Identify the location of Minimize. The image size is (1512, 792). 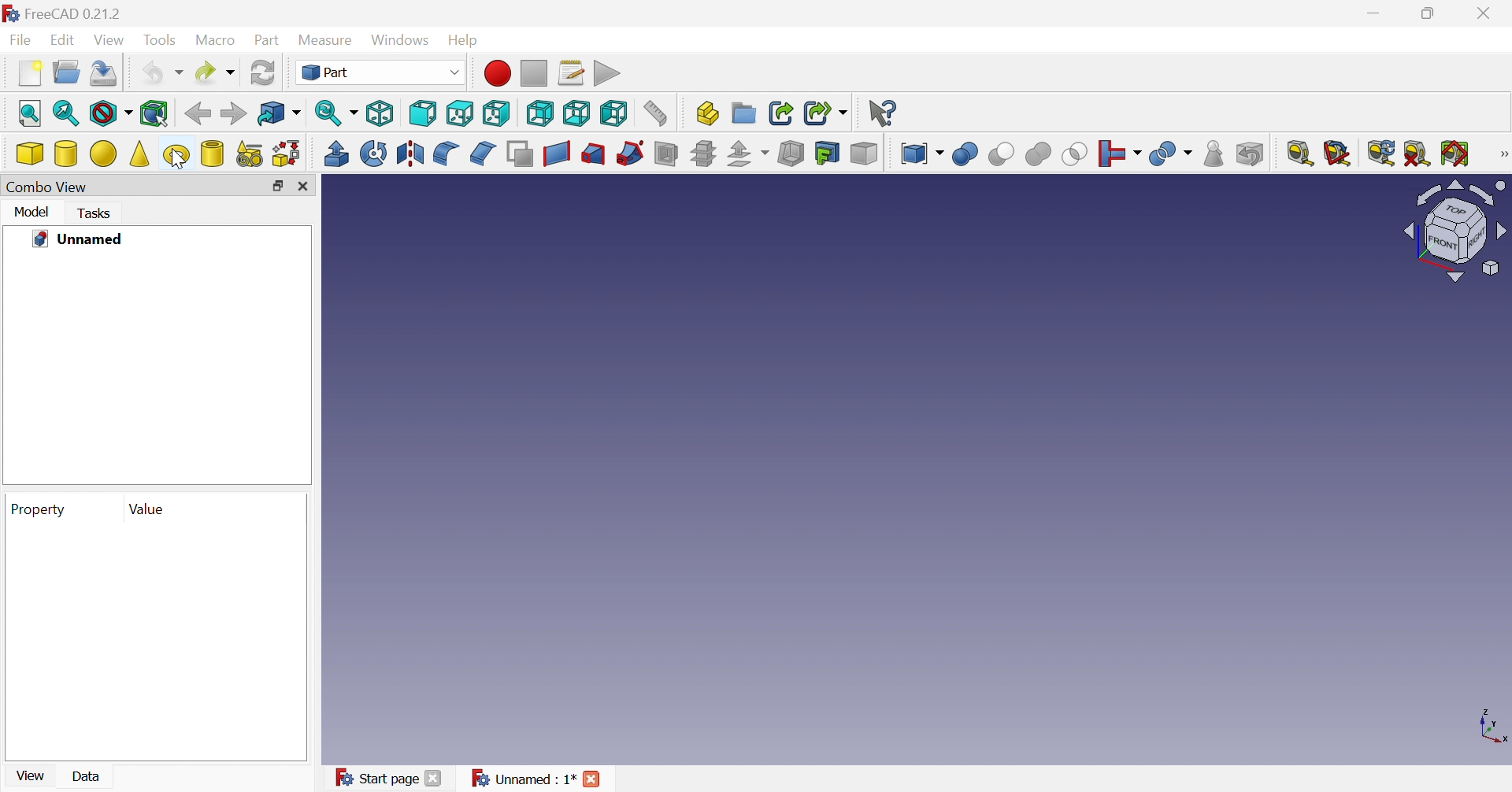
(1380, 13).